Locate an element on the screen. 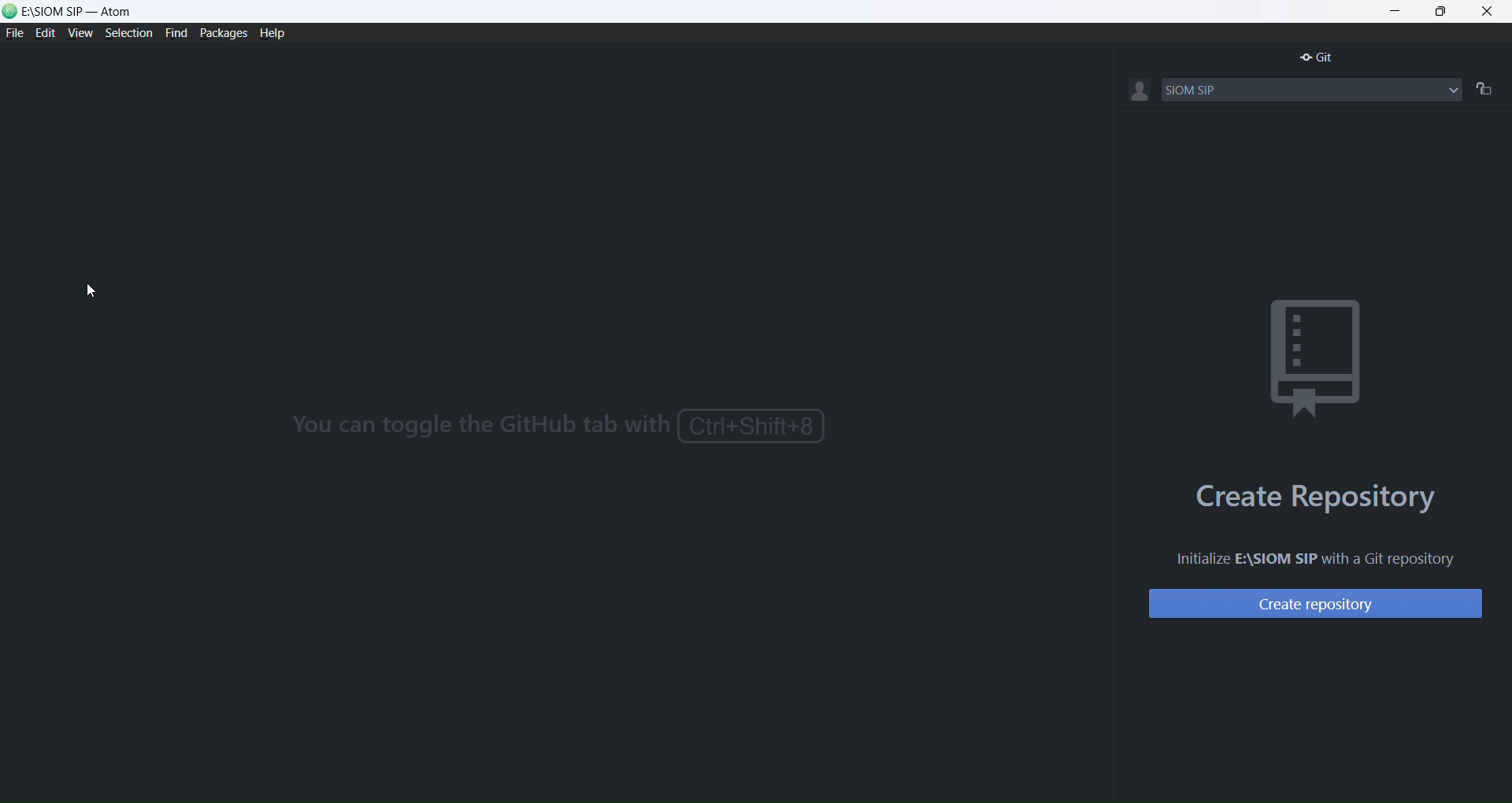  E:/SIOM SIP - atom is located at coordinates (80, 13).